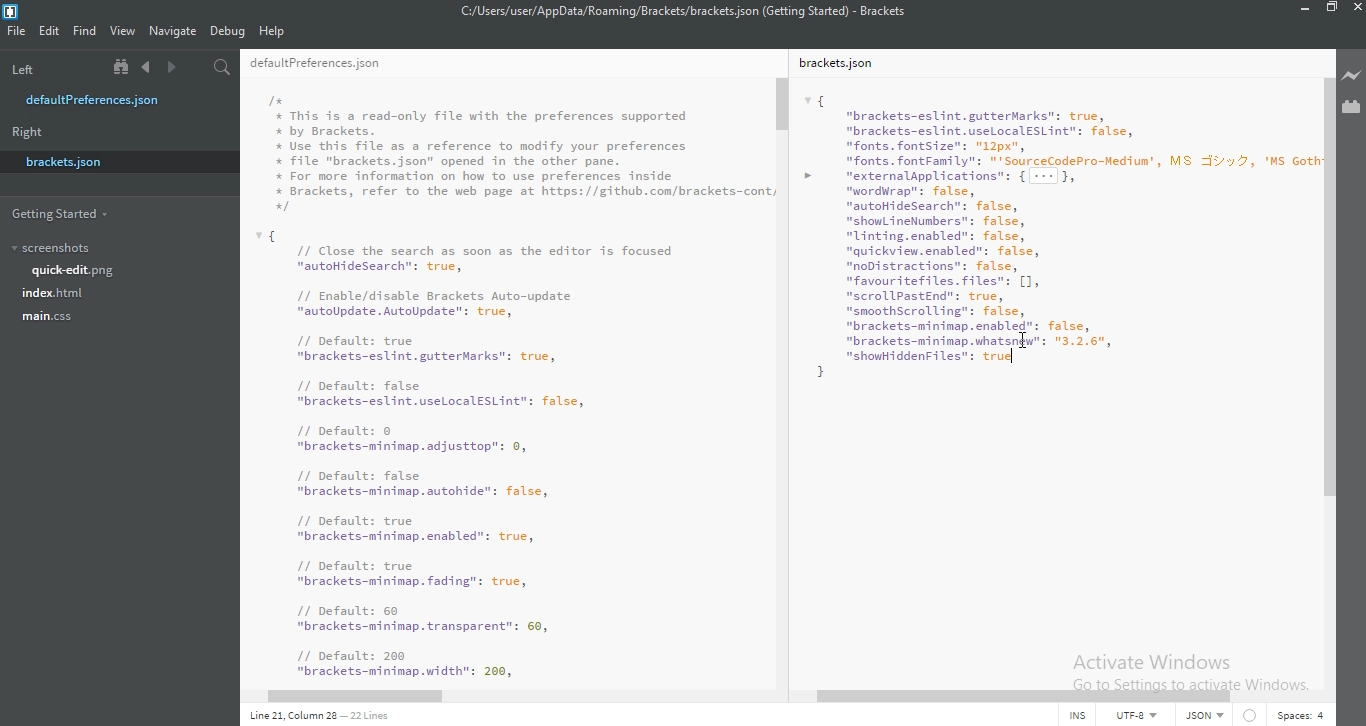 The width and height of the screenshot is (1366, 726). Describe the element at coordinates (55, 294) in the screenshot. I see `index.html` at that location.